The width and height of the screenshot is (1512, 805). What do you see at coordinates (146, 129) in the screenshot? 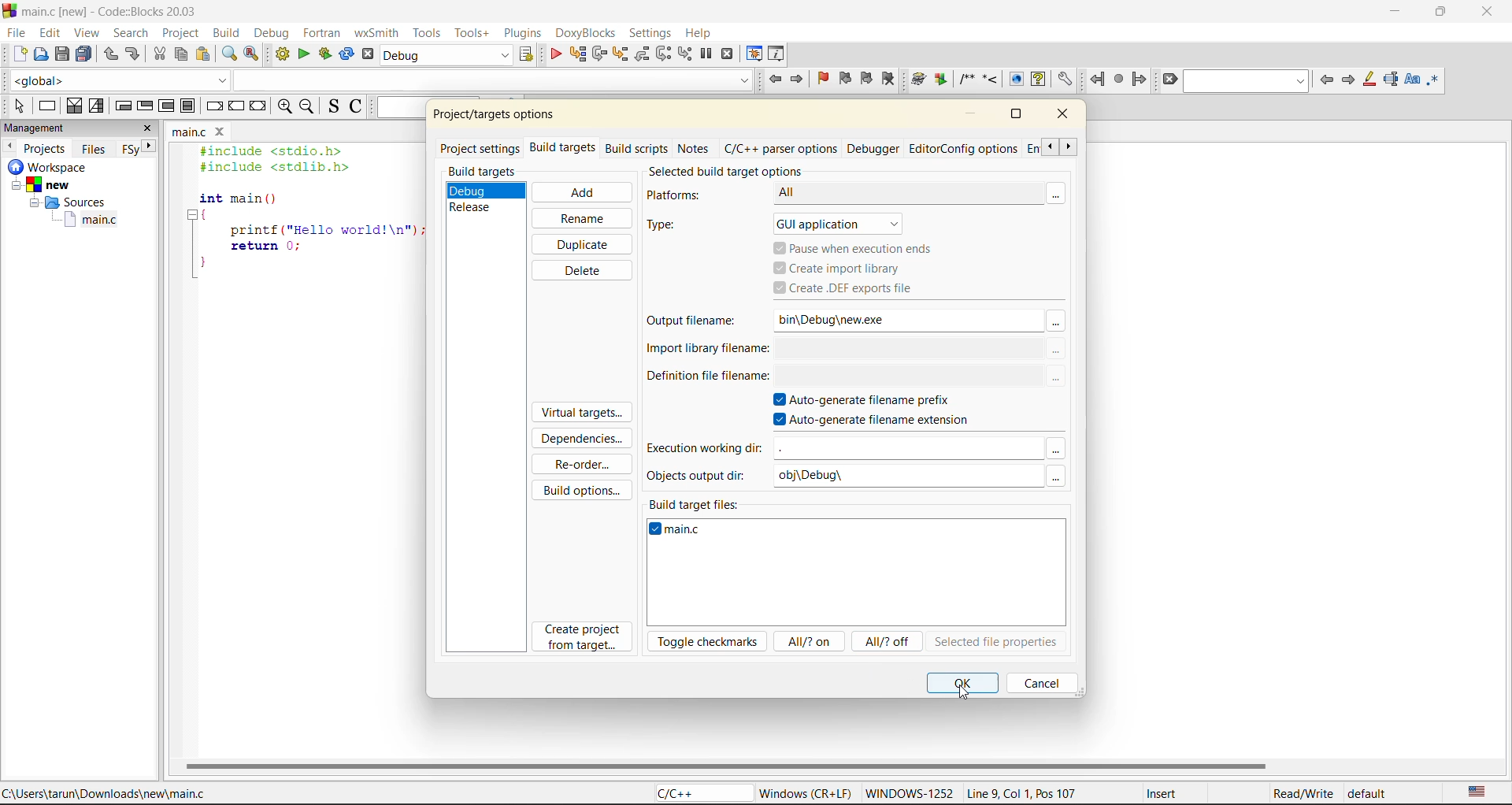
I see `close` at bounding box center [146, 129].